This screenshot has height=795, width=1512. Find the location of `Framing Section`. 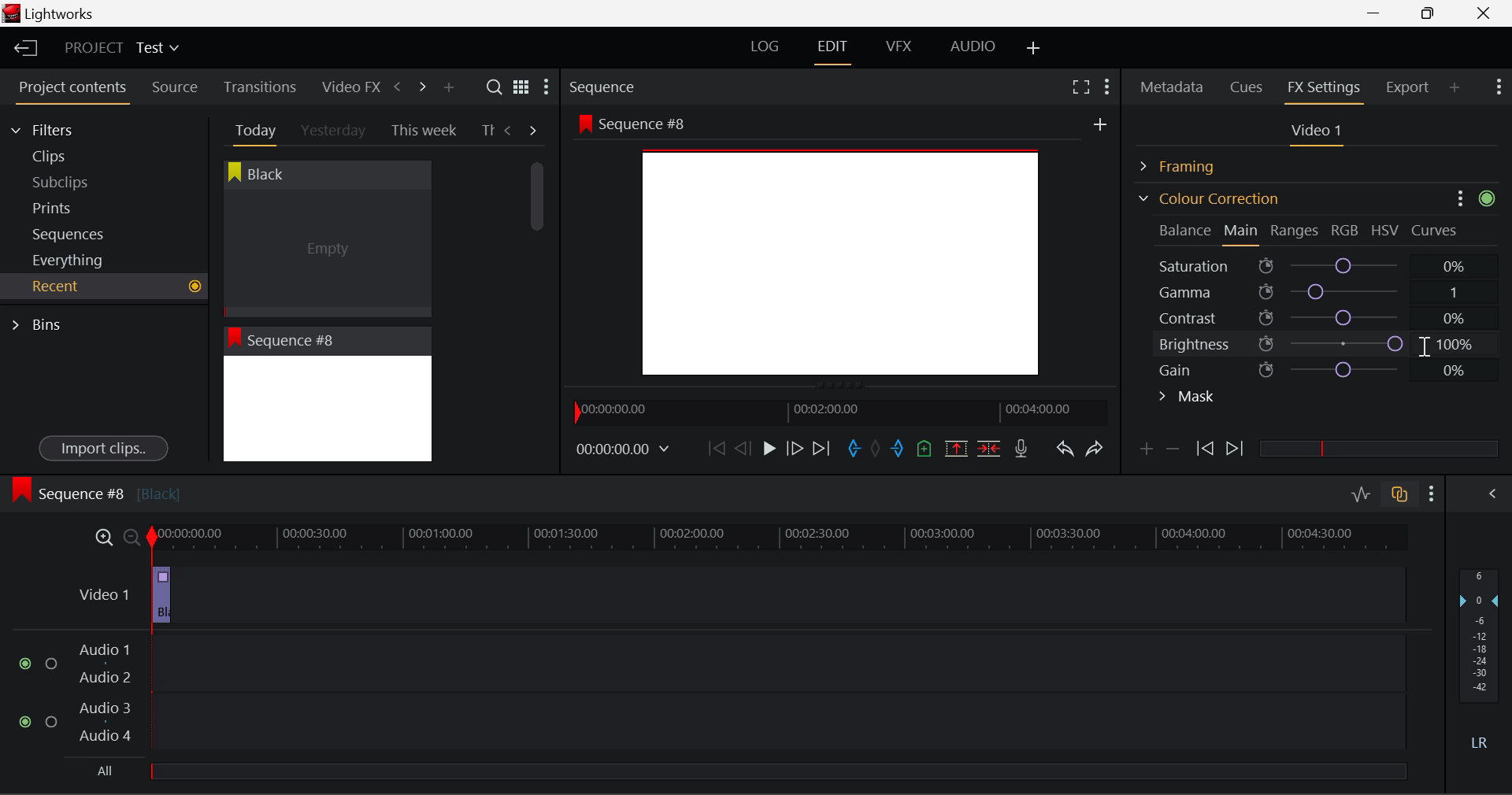

Framing Section is located at coordinates (1190, 164).